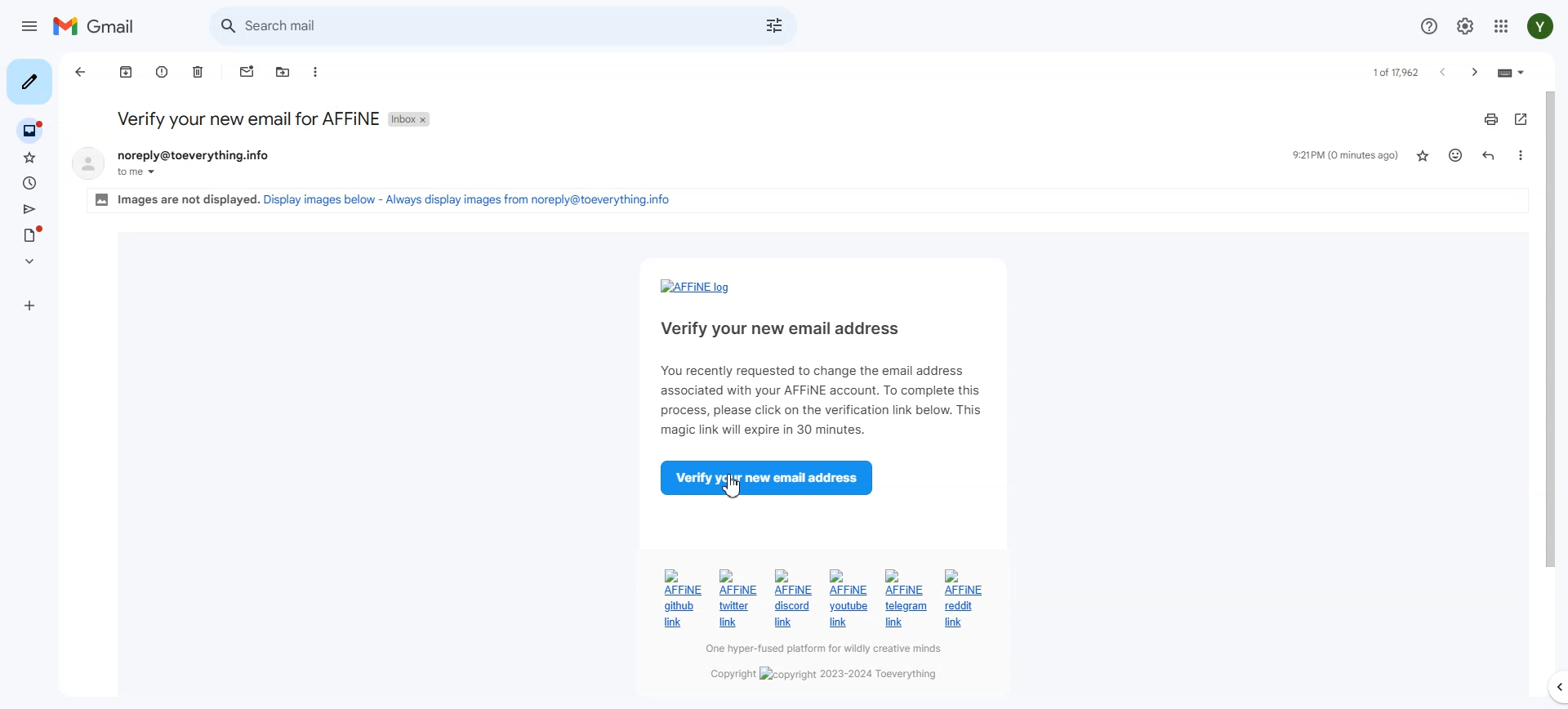  What do you see at coordinates (135, 174) in the screenshot?
I see `to me` at bounding box center [135, 174].